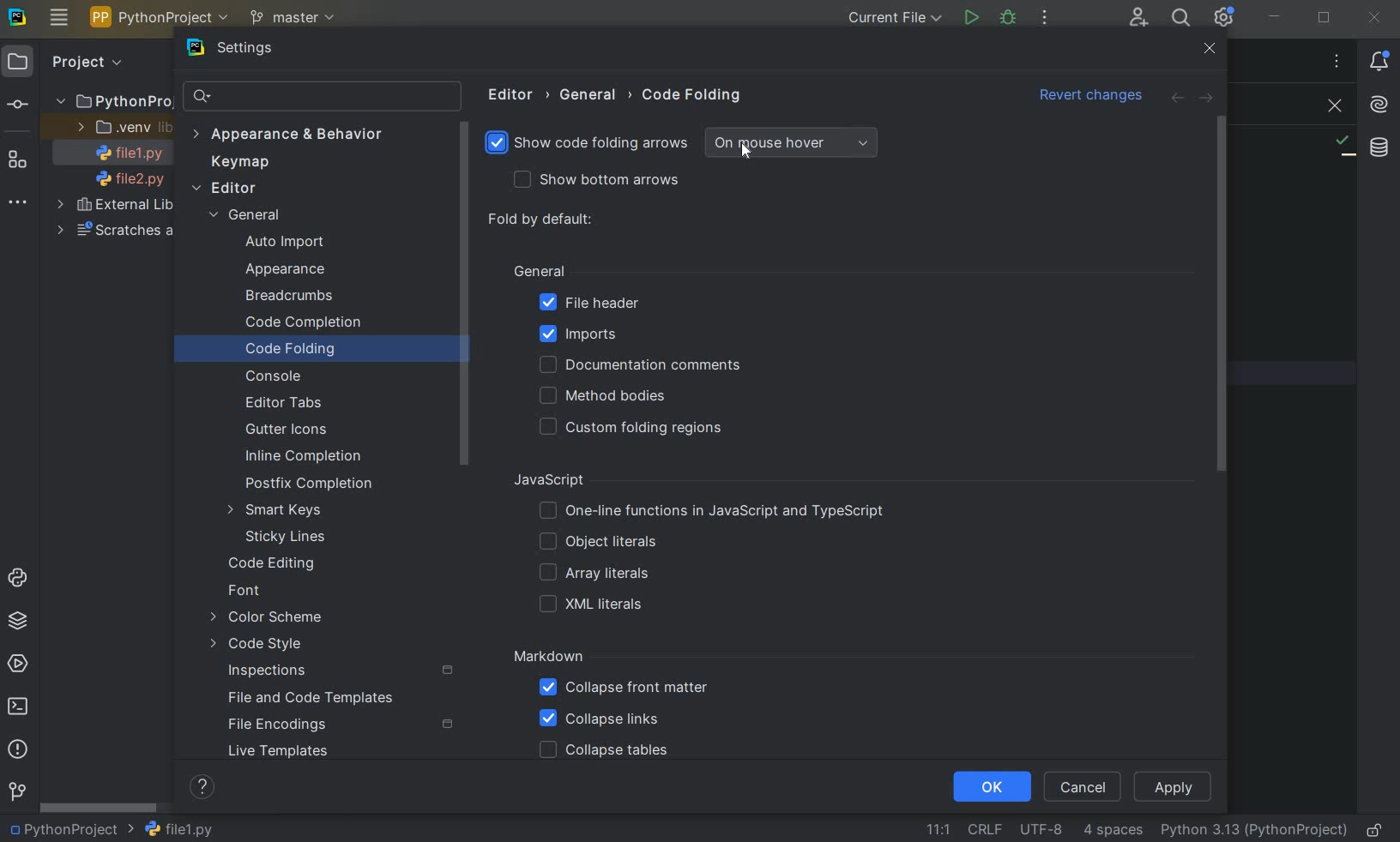  What do you see at coordinates (1379, 105) in the screenshot?
I see `AI ASSISTANT` at bounding box center [1379, 105].